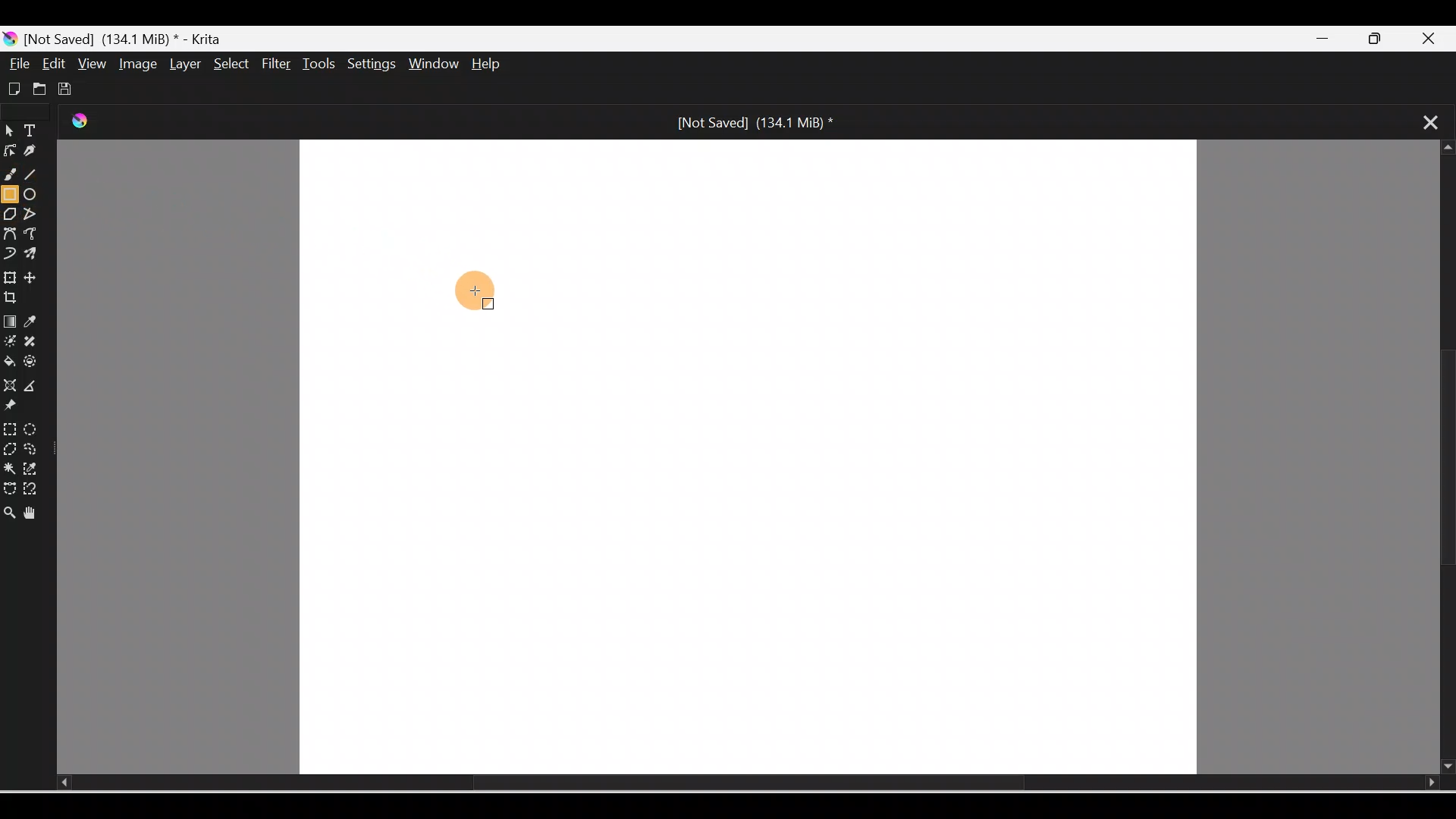  Describe the element at coordinates (9, 252) in the screenshot. I see `Dynamic brush tool` at that location.